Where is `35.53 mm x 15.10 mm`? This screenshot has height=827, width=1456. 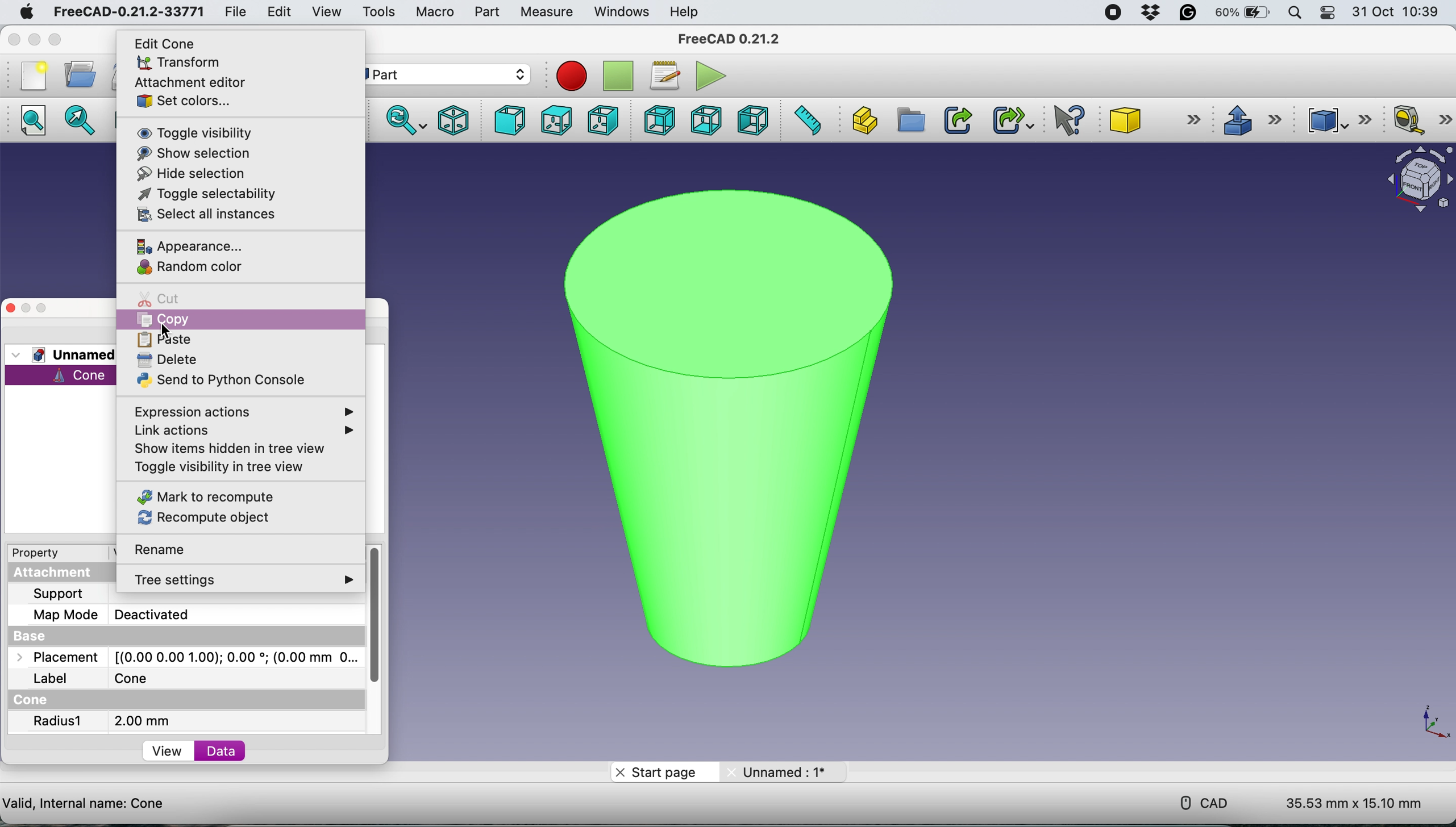
35.53 mm x 15.10 mm is located at coordinates (1354, 804).